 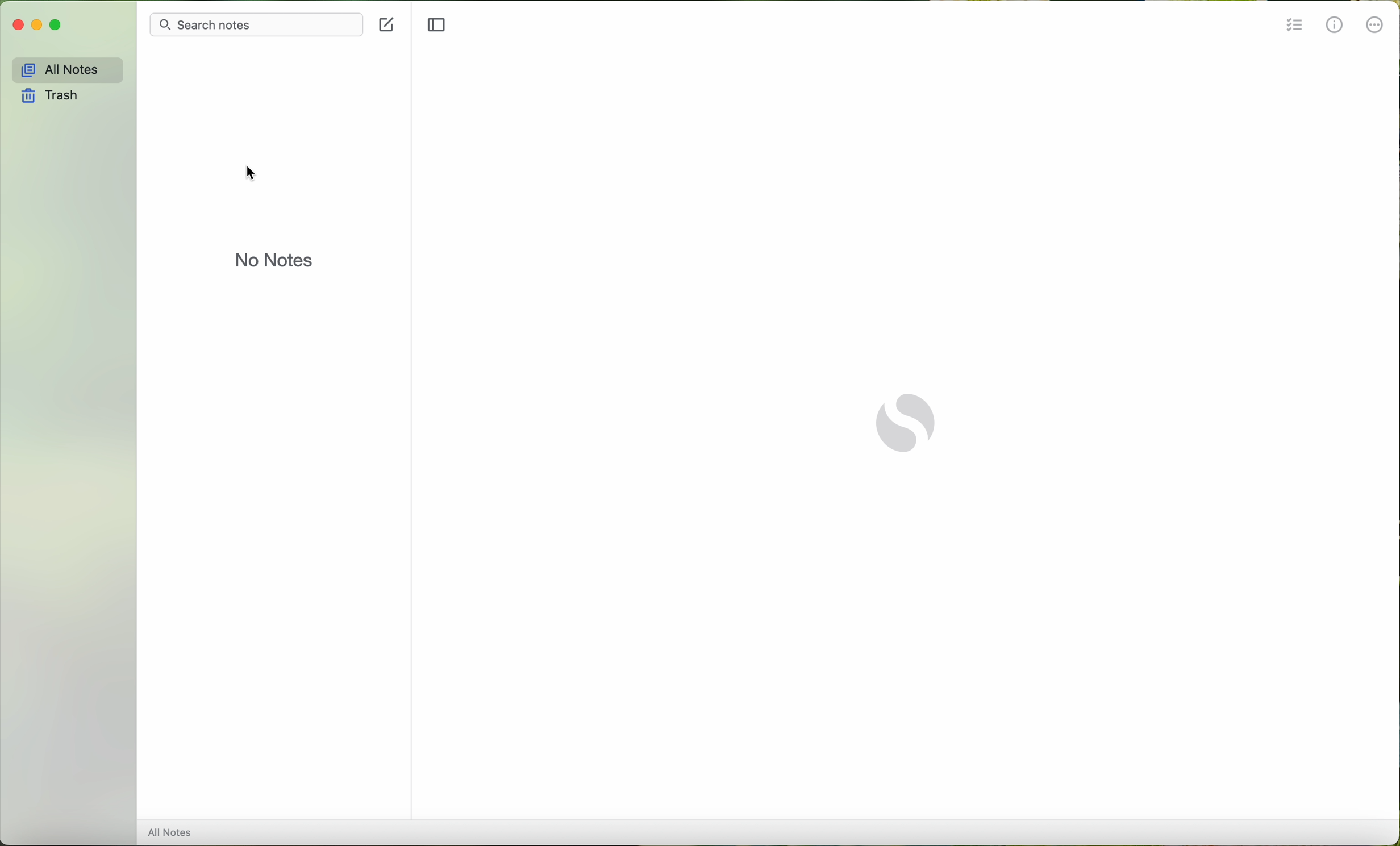 What do you see at coordinates (438, 26) in the screenshot?
I see `toggle sidebar` at bounding box center [438, 26].